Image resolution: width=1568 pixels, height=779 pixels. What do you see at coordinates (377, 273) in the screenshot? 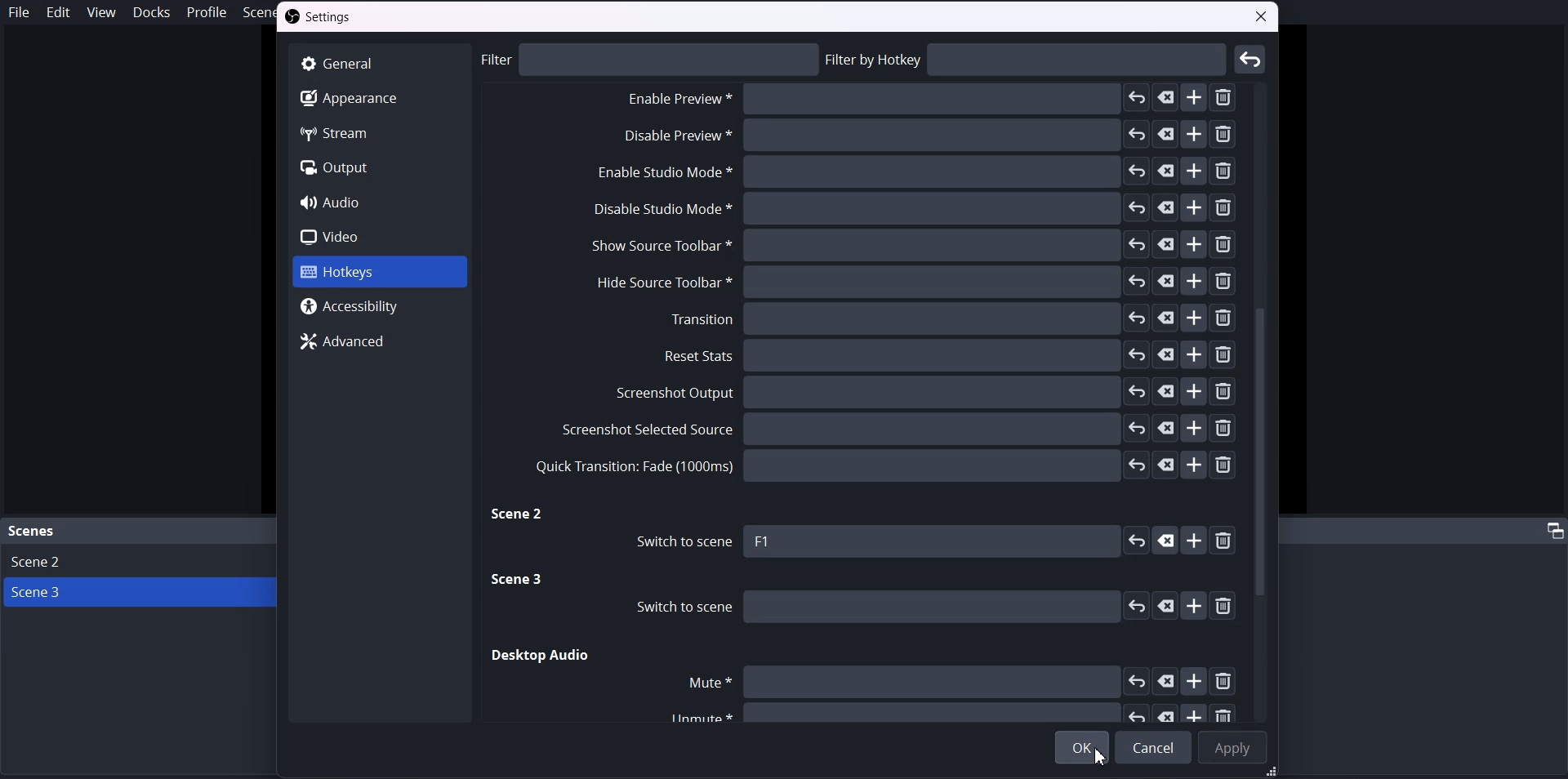
I see `Hotkeys` at bounding box center [377, 273].